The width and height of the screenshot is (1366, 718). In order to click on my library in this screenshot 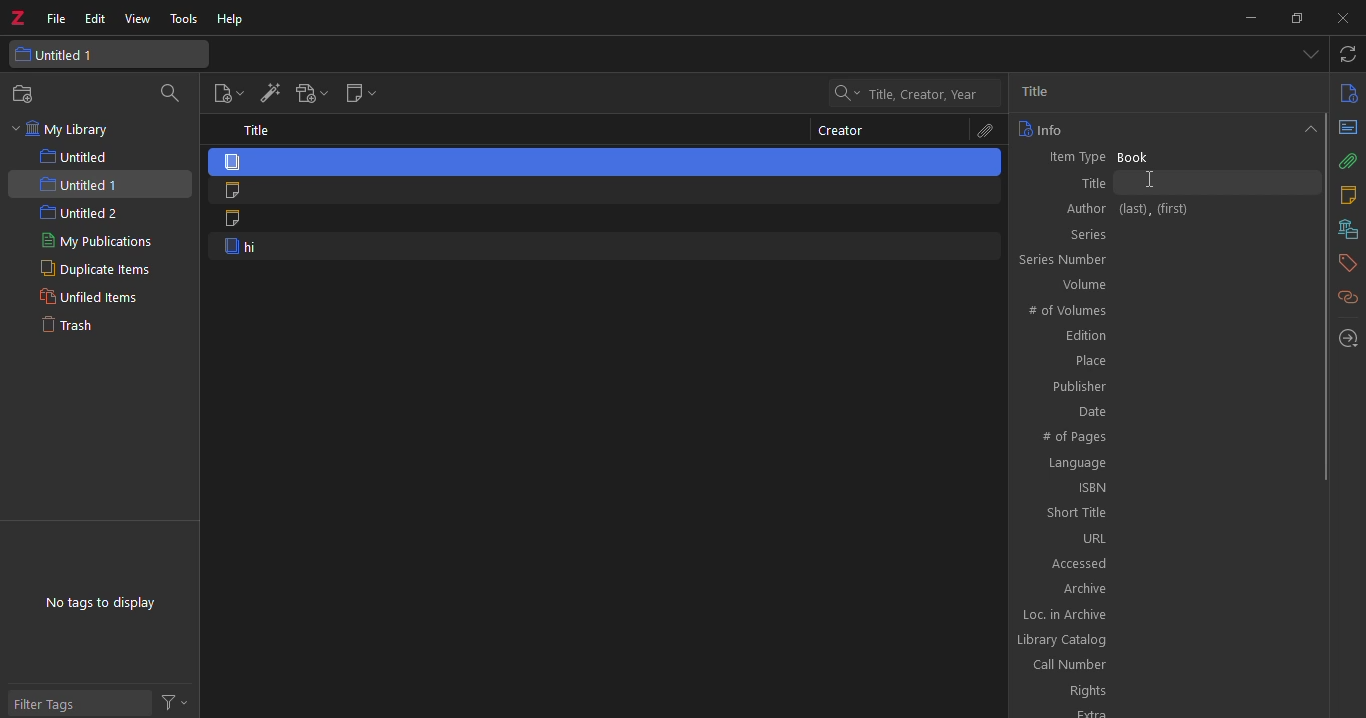, I will do `click(64, 130)`.